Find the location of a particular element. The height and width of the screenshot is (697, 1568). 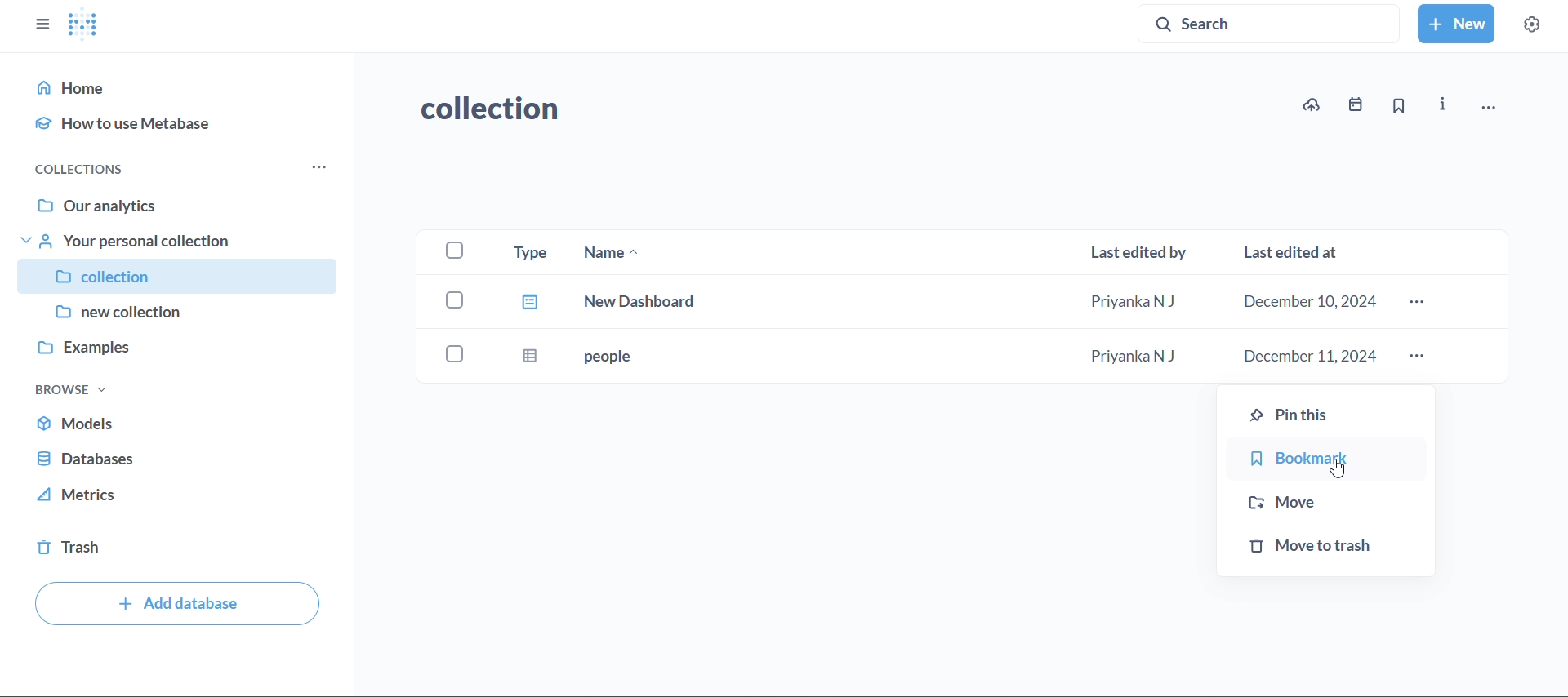

logo is located at coordinates (83, 26).